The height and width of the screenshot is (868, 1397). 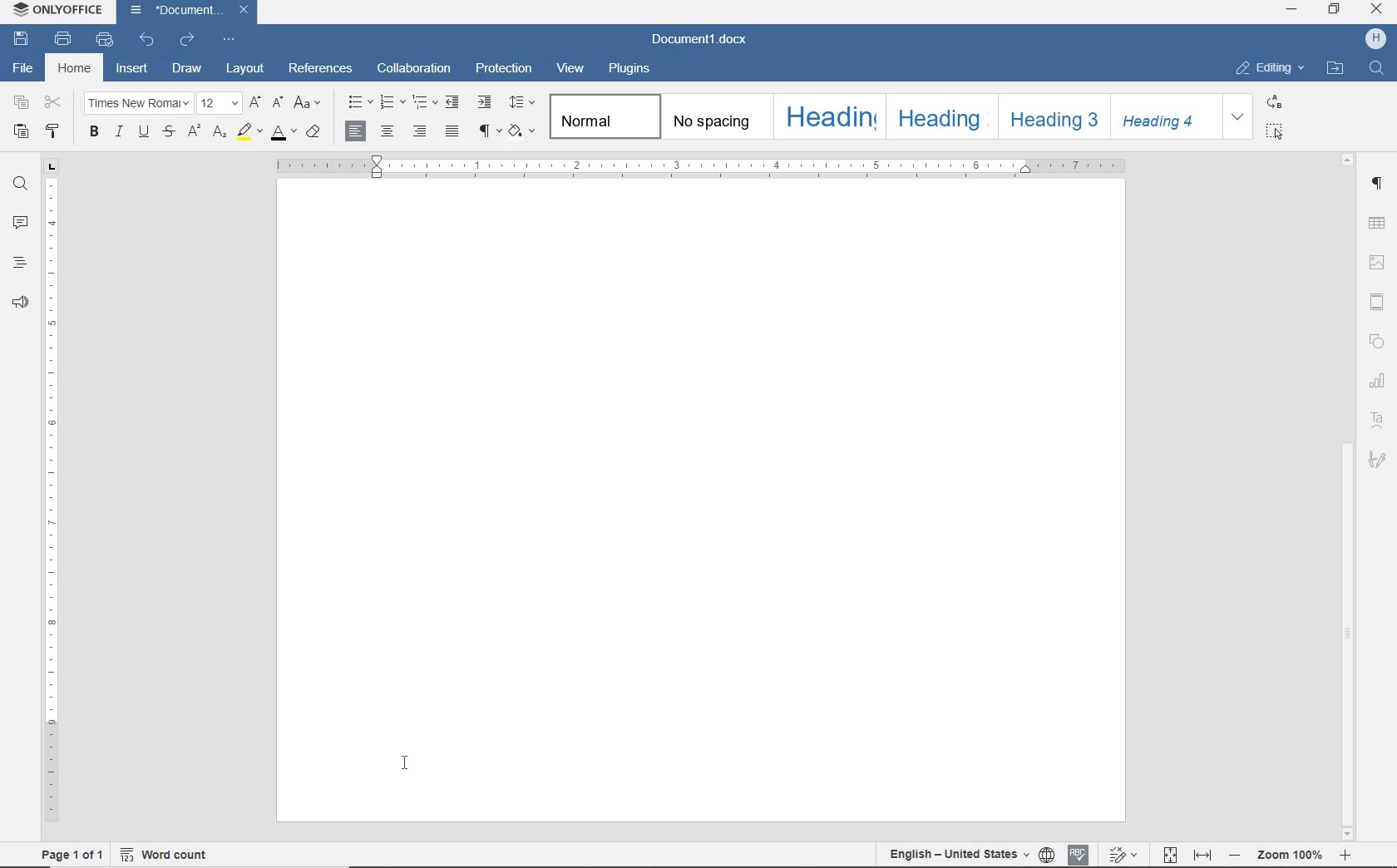 What do you see at coordinates (49, 491) in the screenshot?
I see `ruler` at bounding box center [49, 491].